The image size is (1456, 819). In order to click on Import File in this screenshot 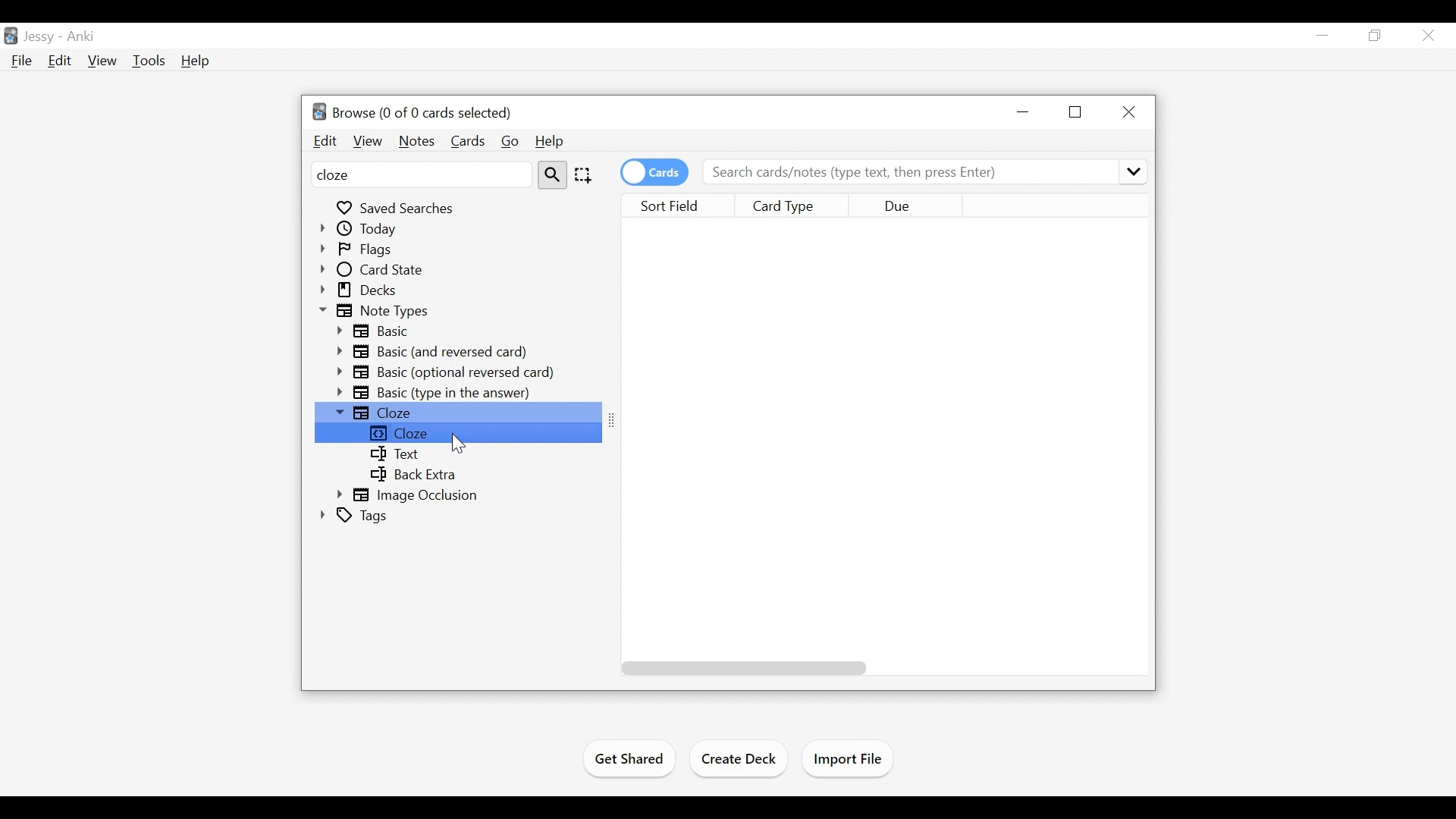, I will do `click(852, 760)`.